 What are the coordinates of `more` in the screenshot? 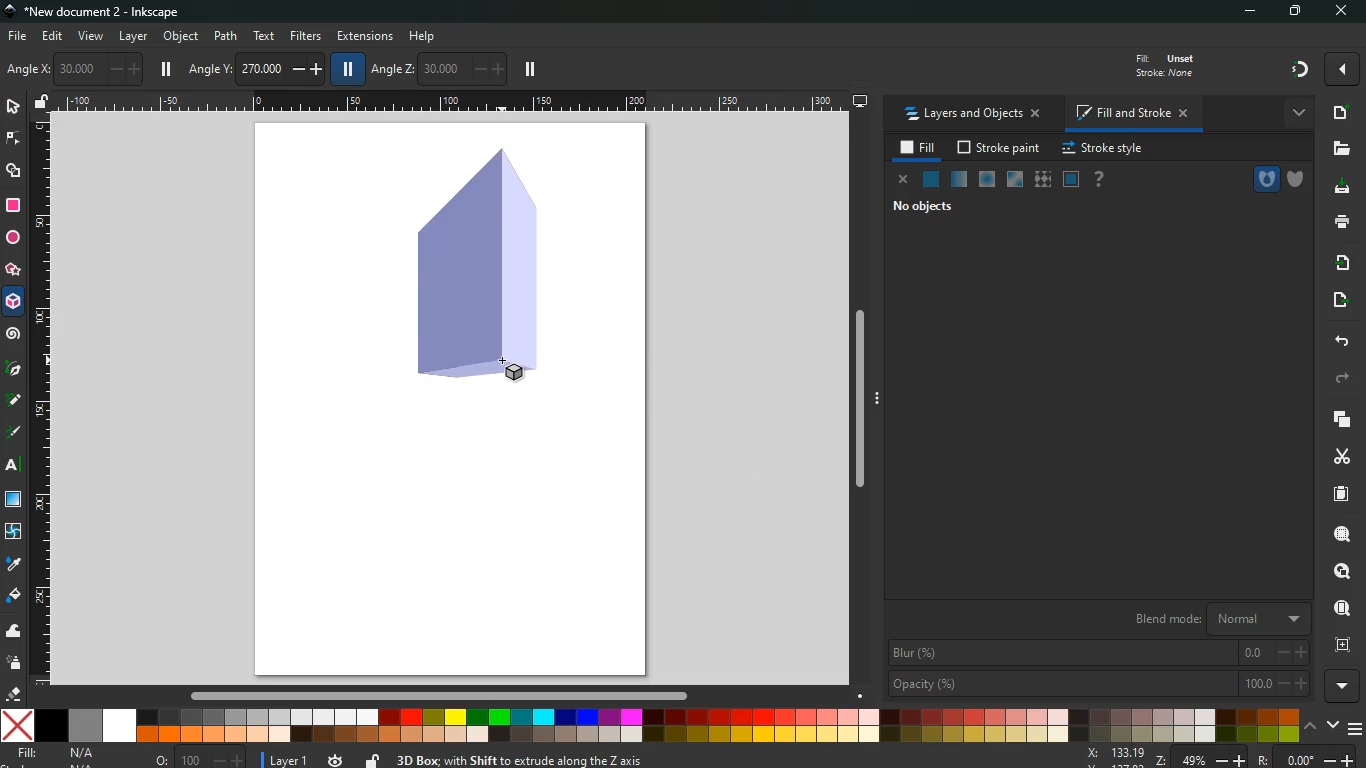 It's located at (1345, 687).